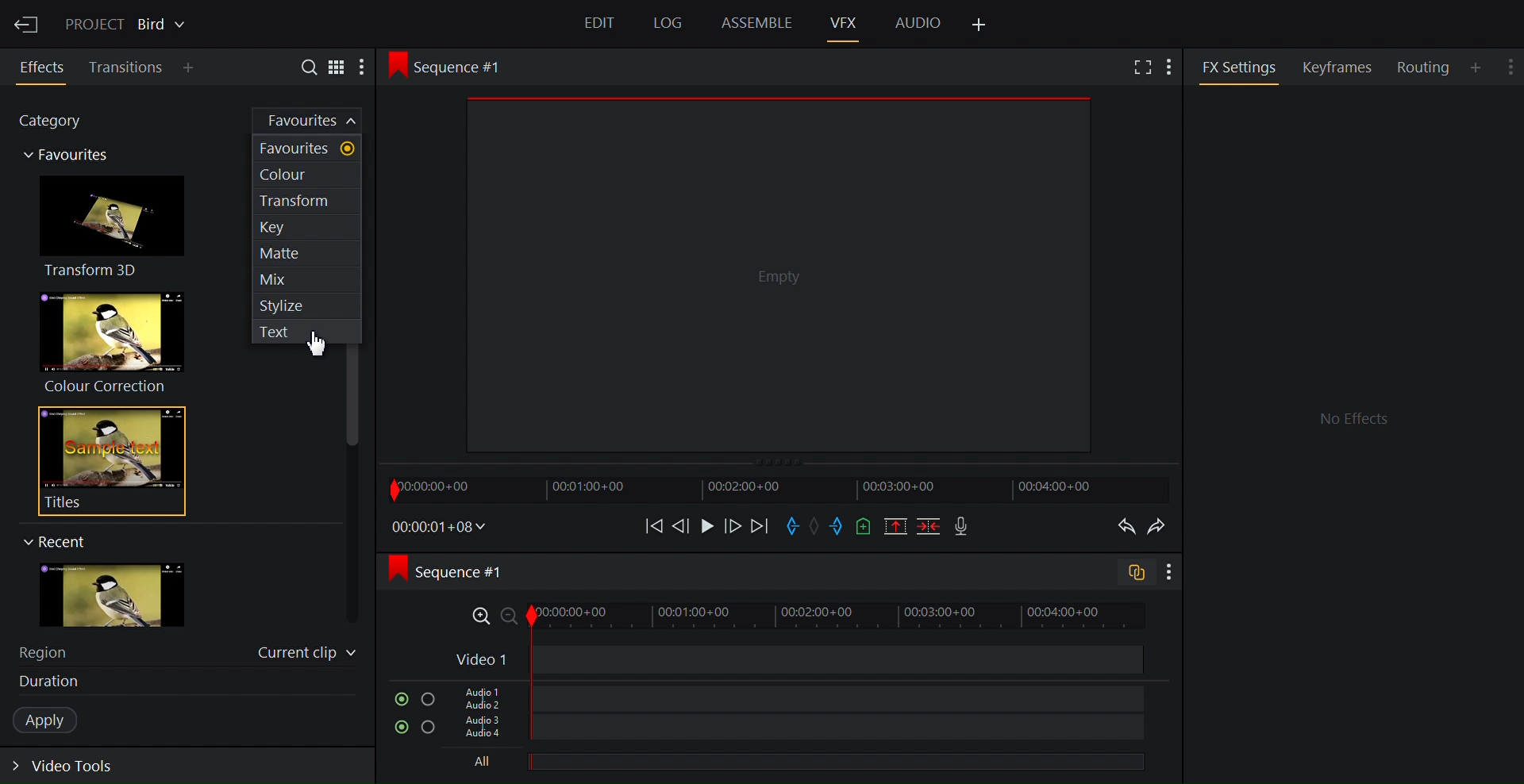  Describe the element at coordinates (1512, 63) in the screenshot. I see `Show settings menu` at that location.